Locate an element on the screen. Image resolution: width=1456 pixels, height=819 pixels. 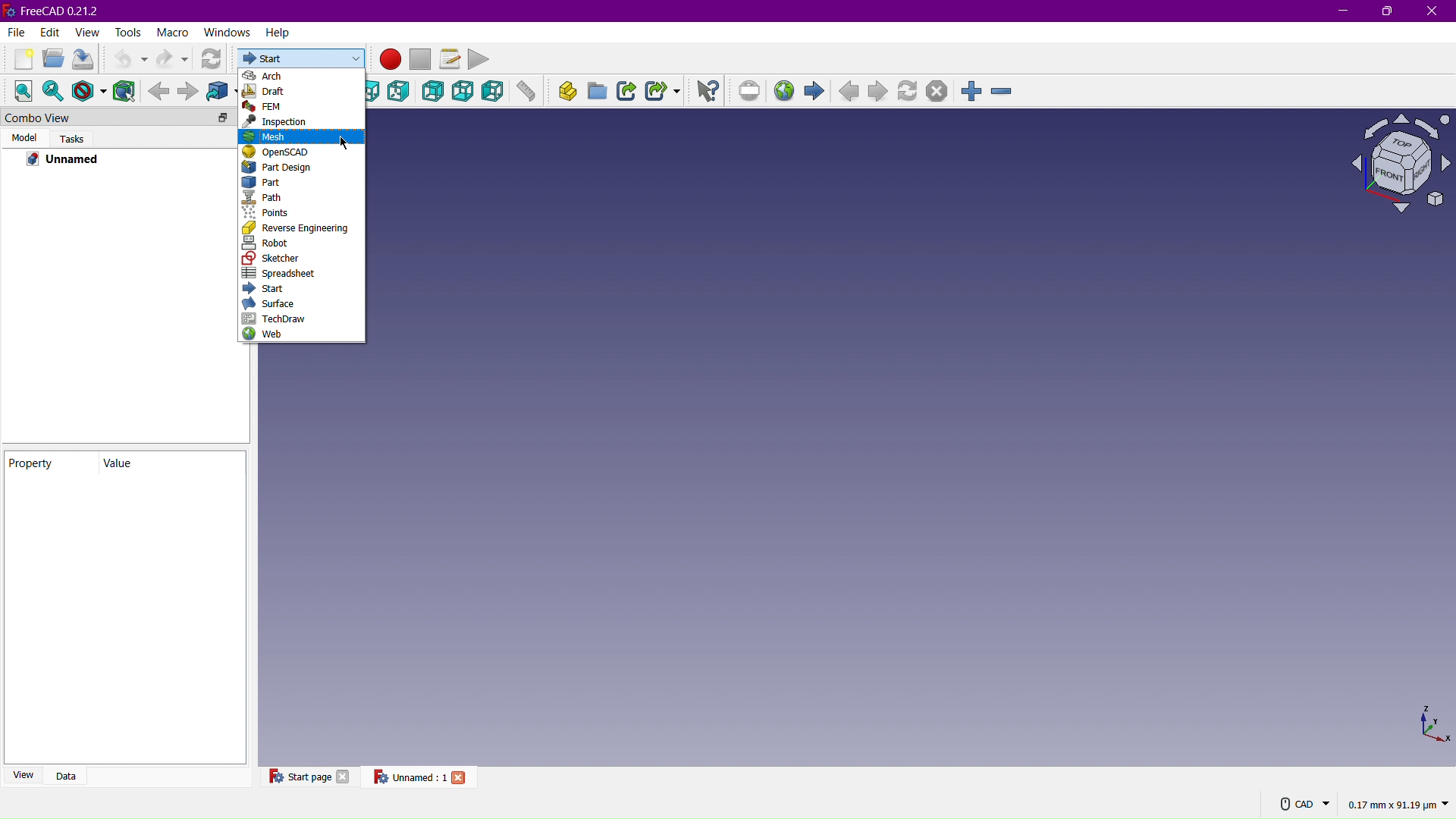
Go to linked object is located at coordinates (222, 90).